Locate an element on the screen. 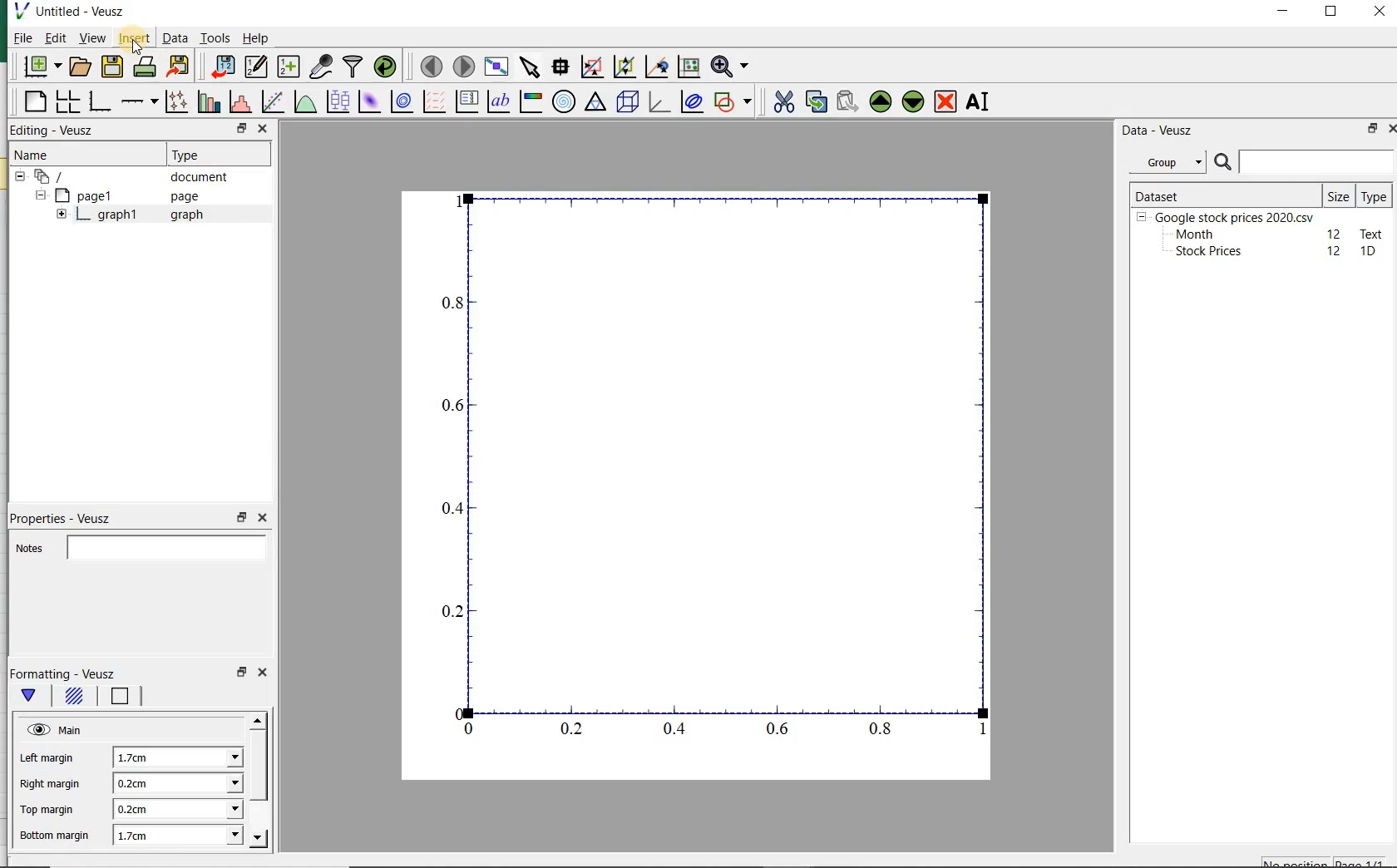 The image size is (1397, 868). File is located at coordinates (18, 40).